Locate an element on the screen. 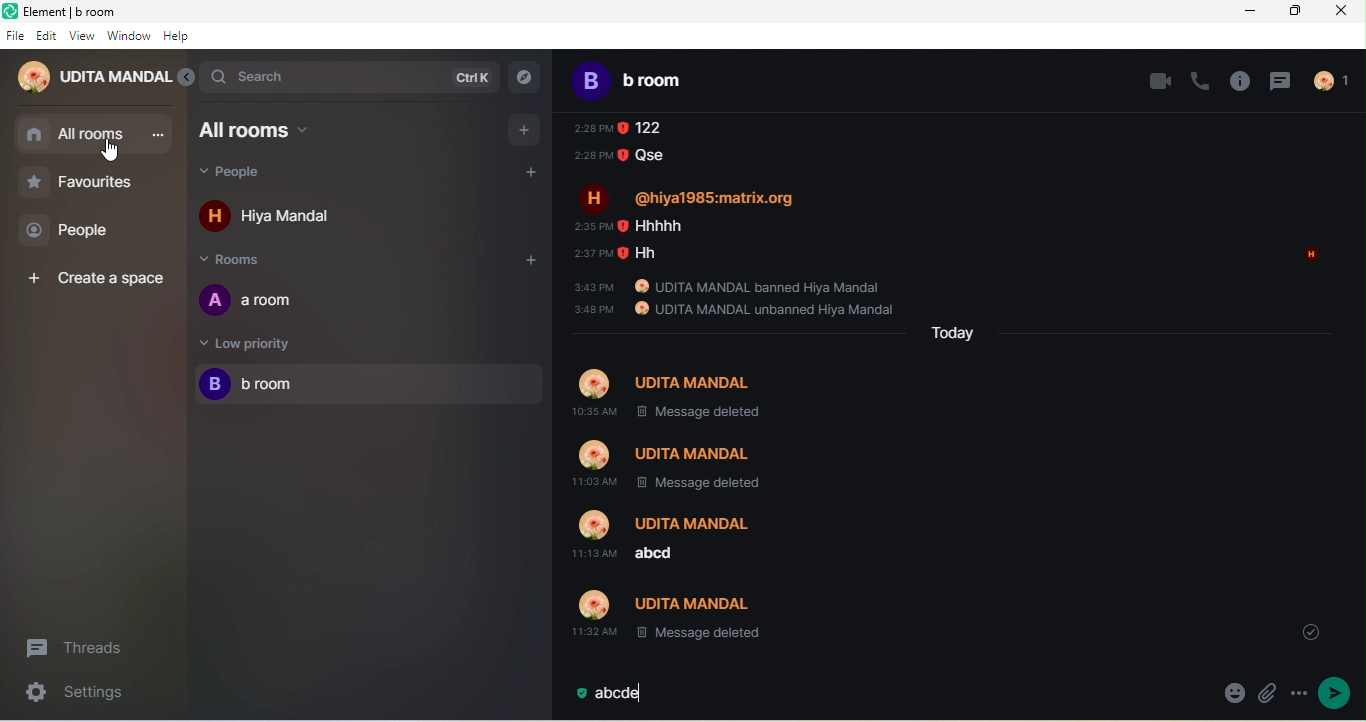 The image size is (1366, 722). people is located at coordinates (80, 230).